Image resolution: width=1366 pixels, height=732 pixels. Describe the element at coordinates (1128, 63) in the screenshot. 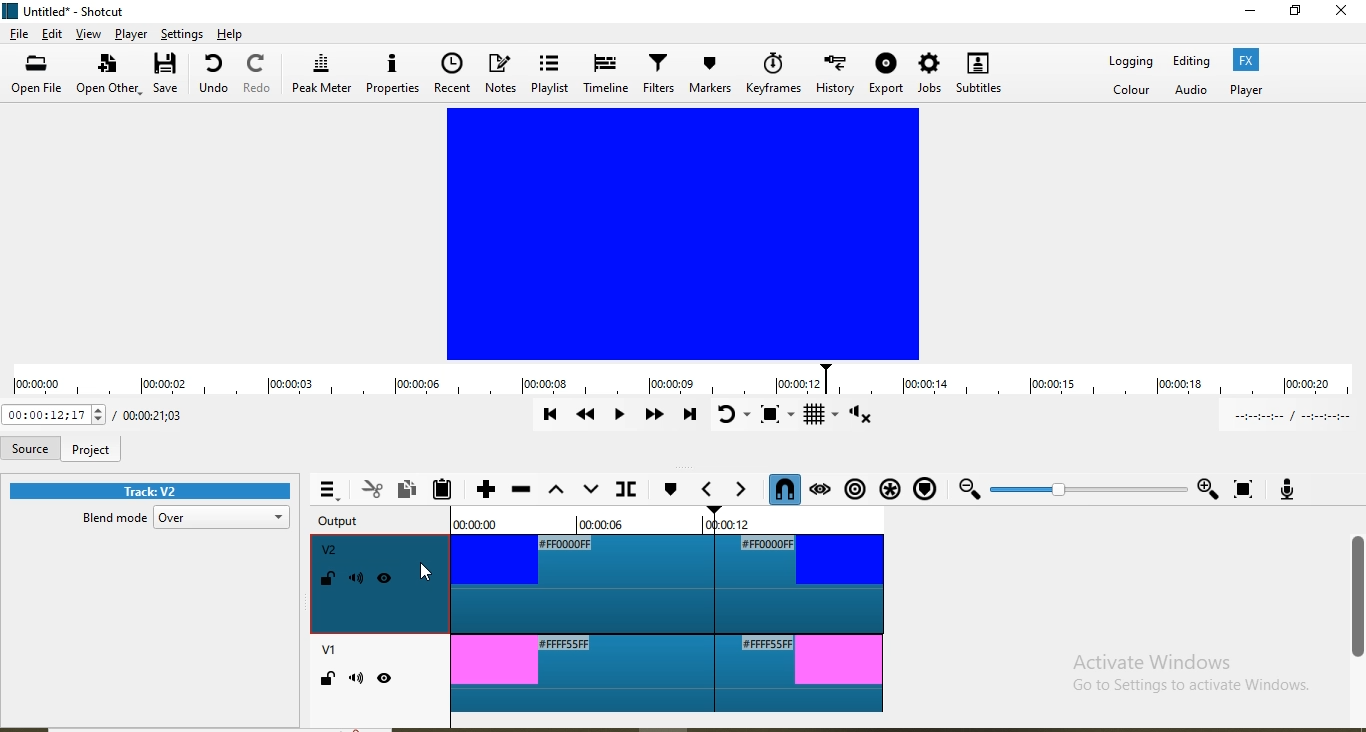

I see `Logging` at that location.